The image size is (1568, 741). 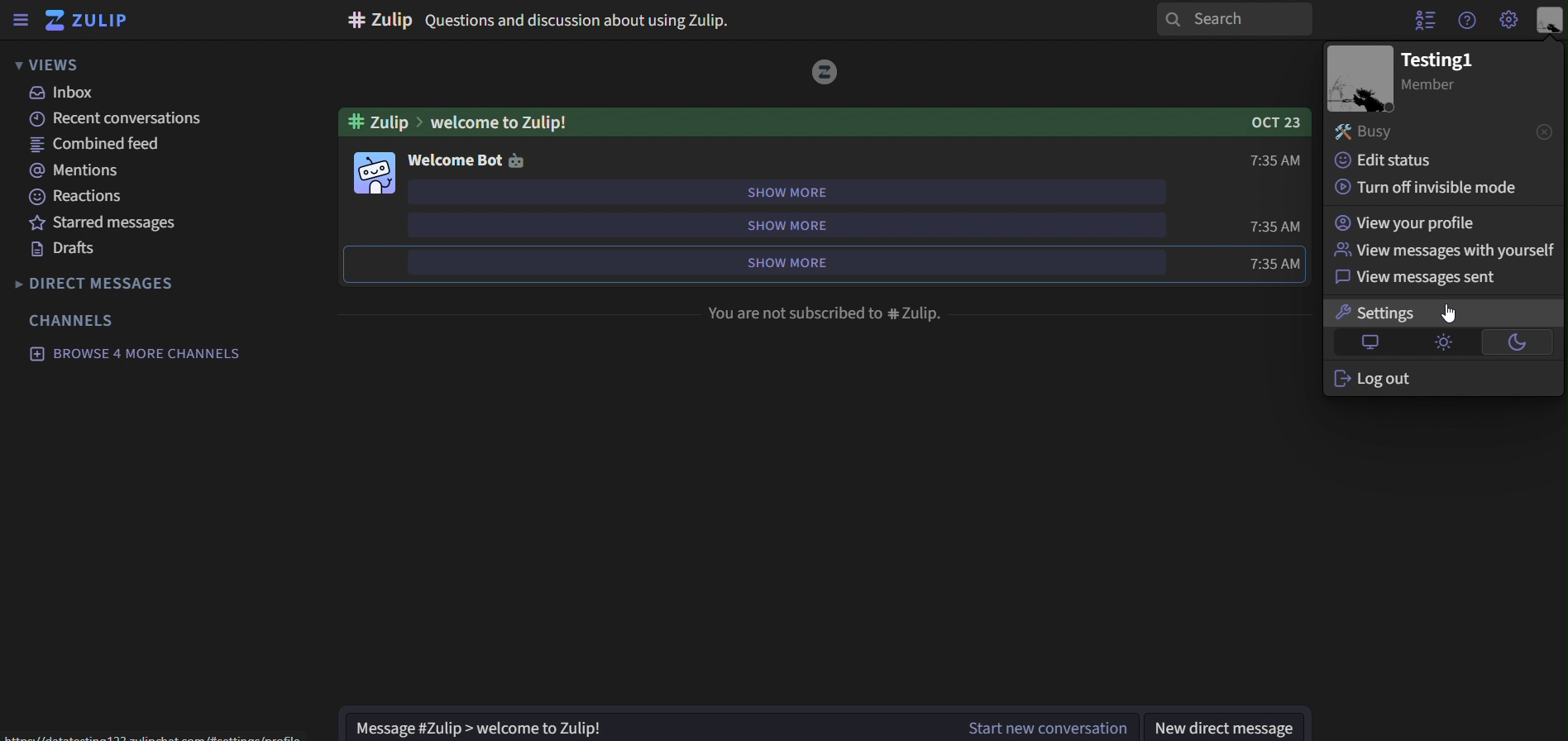 What do you see at coordinates (540, 20) in the screenshot?
I see `#Zulip Questions and discussion about using Zulip` at bounding box center [540, 20].